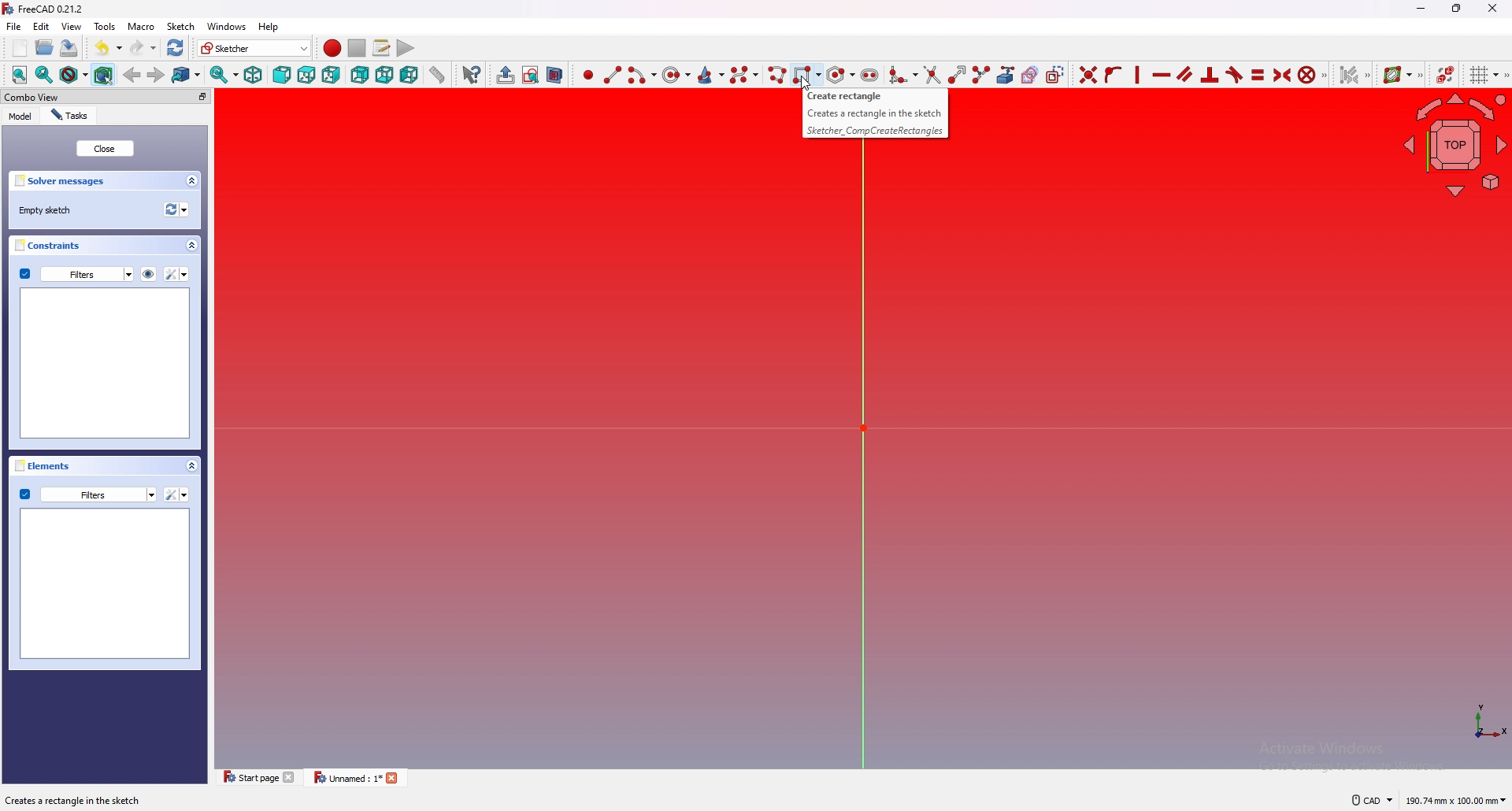  Describe the element at coordinates (356, 47) in the screenshot. I see `stop macro` at that location.